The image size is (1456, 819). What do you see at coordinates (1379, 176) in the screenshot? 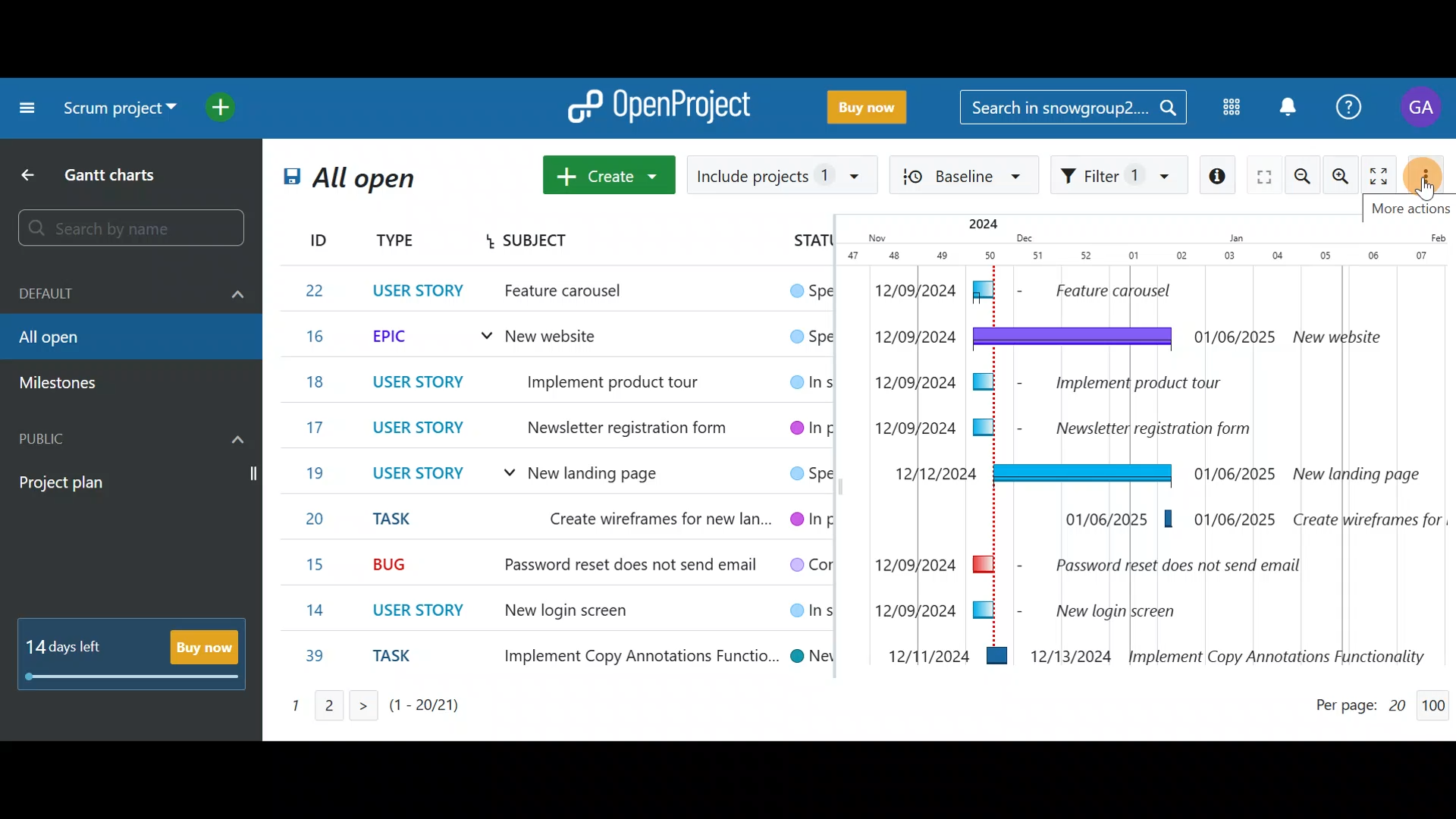
I see `Activate zen mode` at bounding box center [1379, 176].